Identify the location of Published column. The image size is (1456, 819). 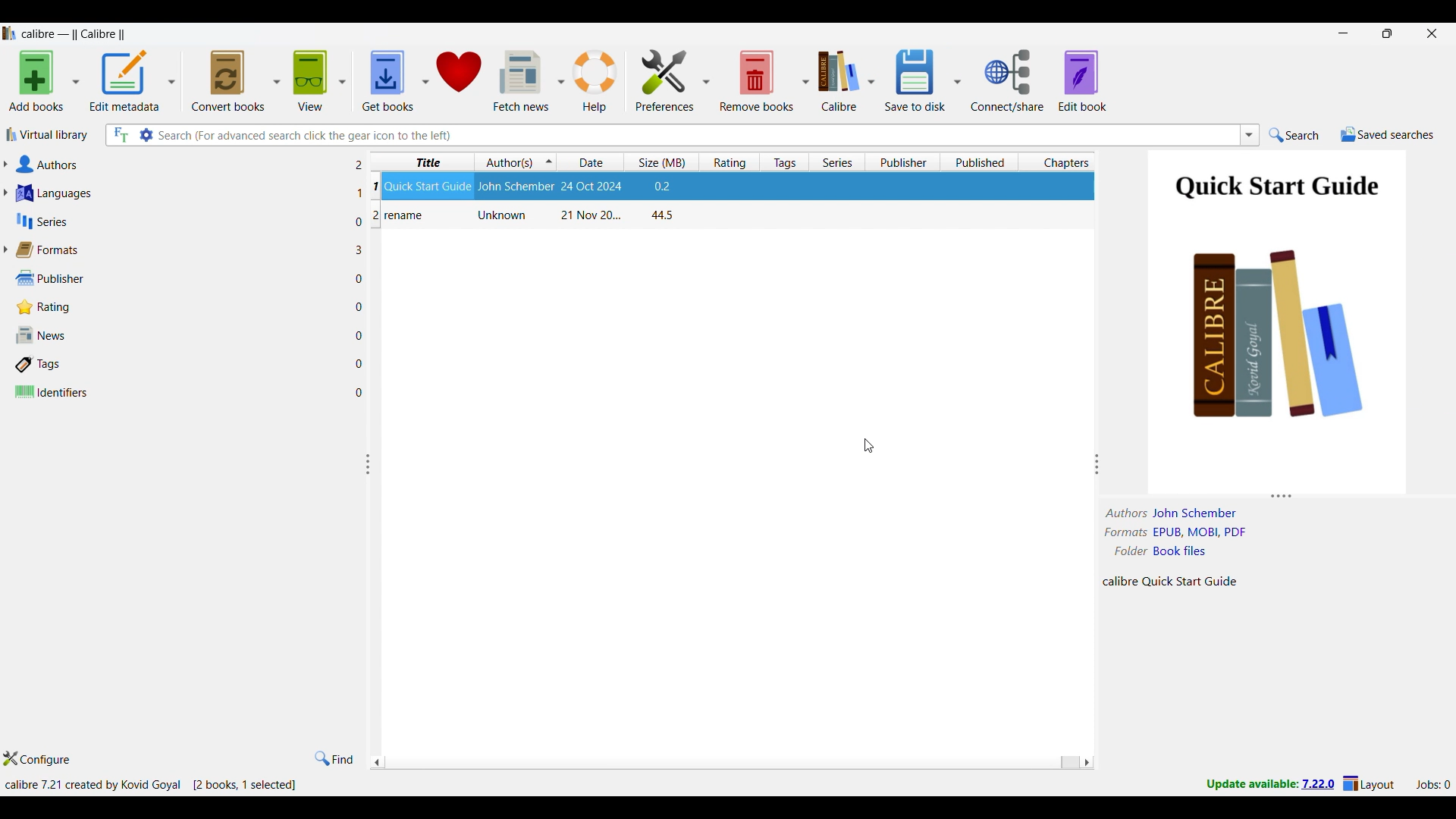
(979, 162).